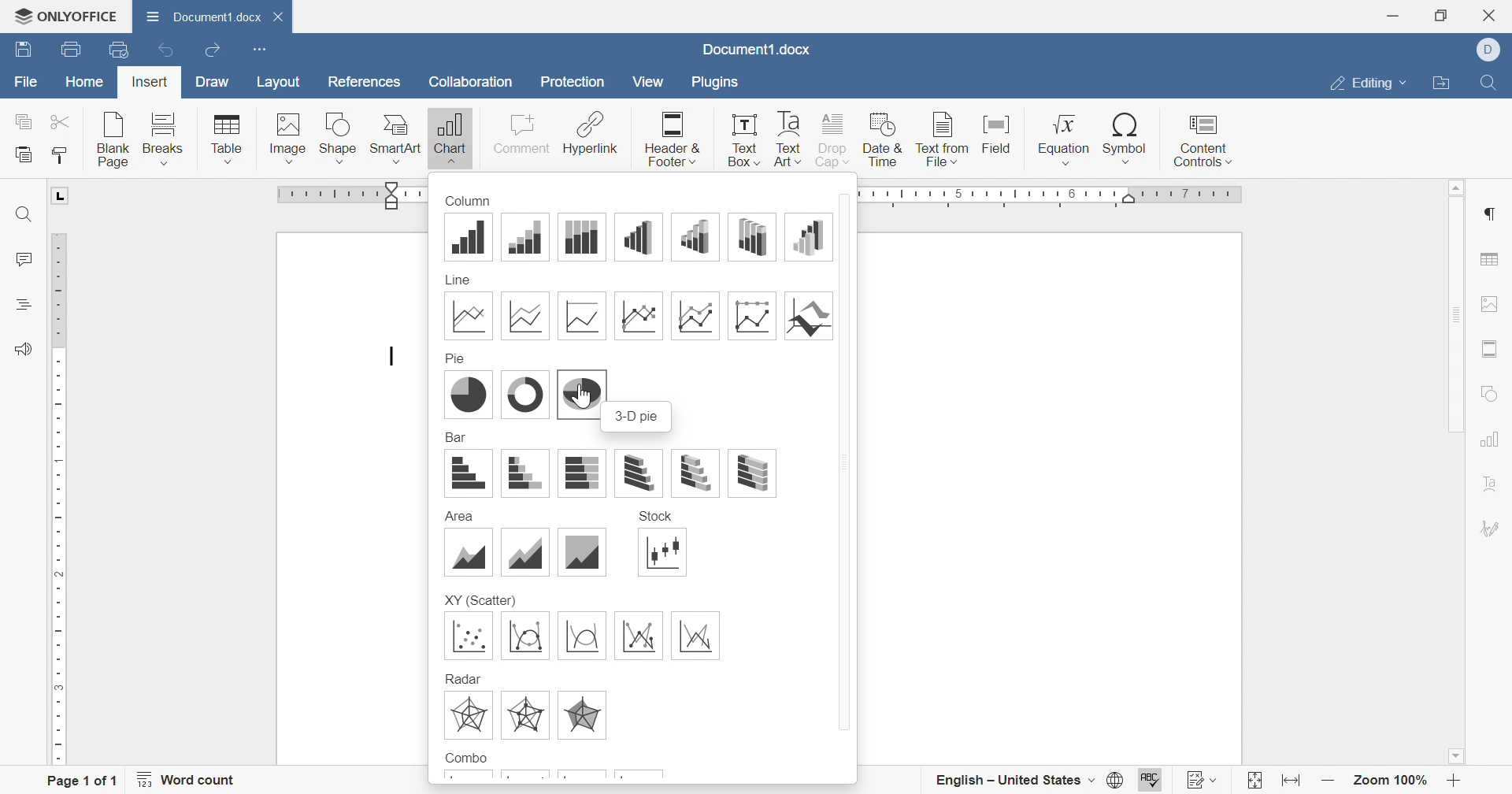 The width and height of the screenshot is (1512, 794). Describe the element at coordinates (61, 159) in the screenshot. I see `Copy Style` at that location.